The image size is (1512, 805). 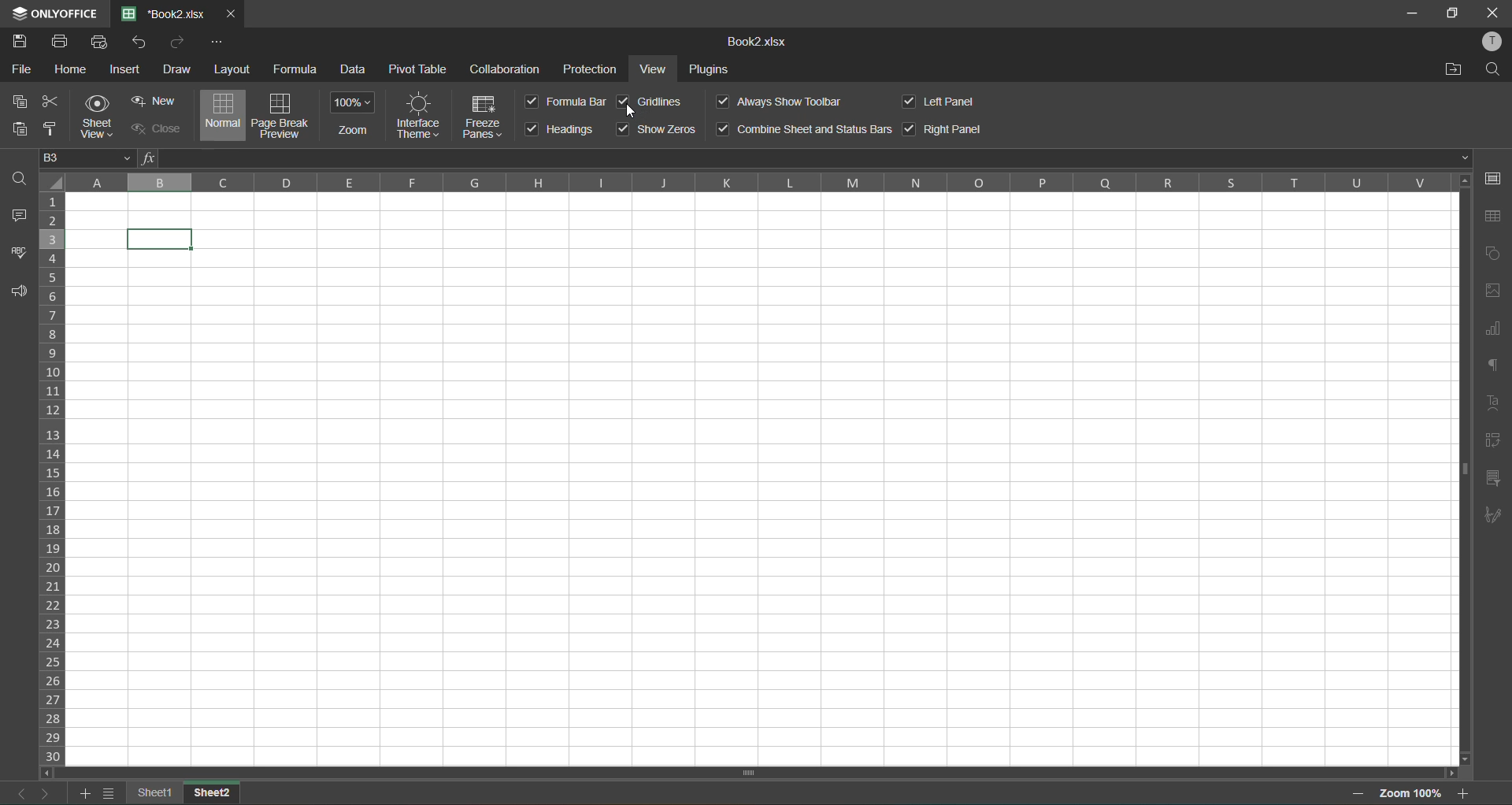 I want to click on formula, so click(x=295, y=66).